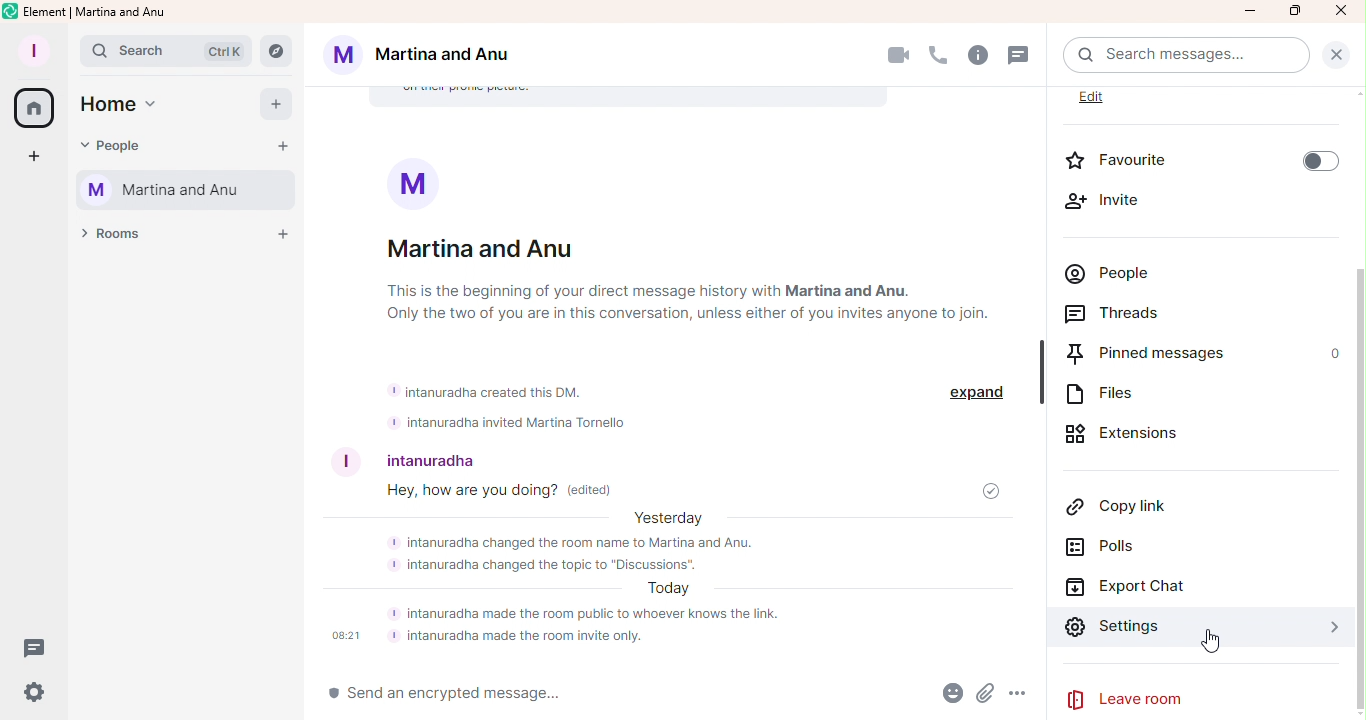  Describe the element at coordinates (1126, 432) in the screenshot. I see `Extensions` at that location.